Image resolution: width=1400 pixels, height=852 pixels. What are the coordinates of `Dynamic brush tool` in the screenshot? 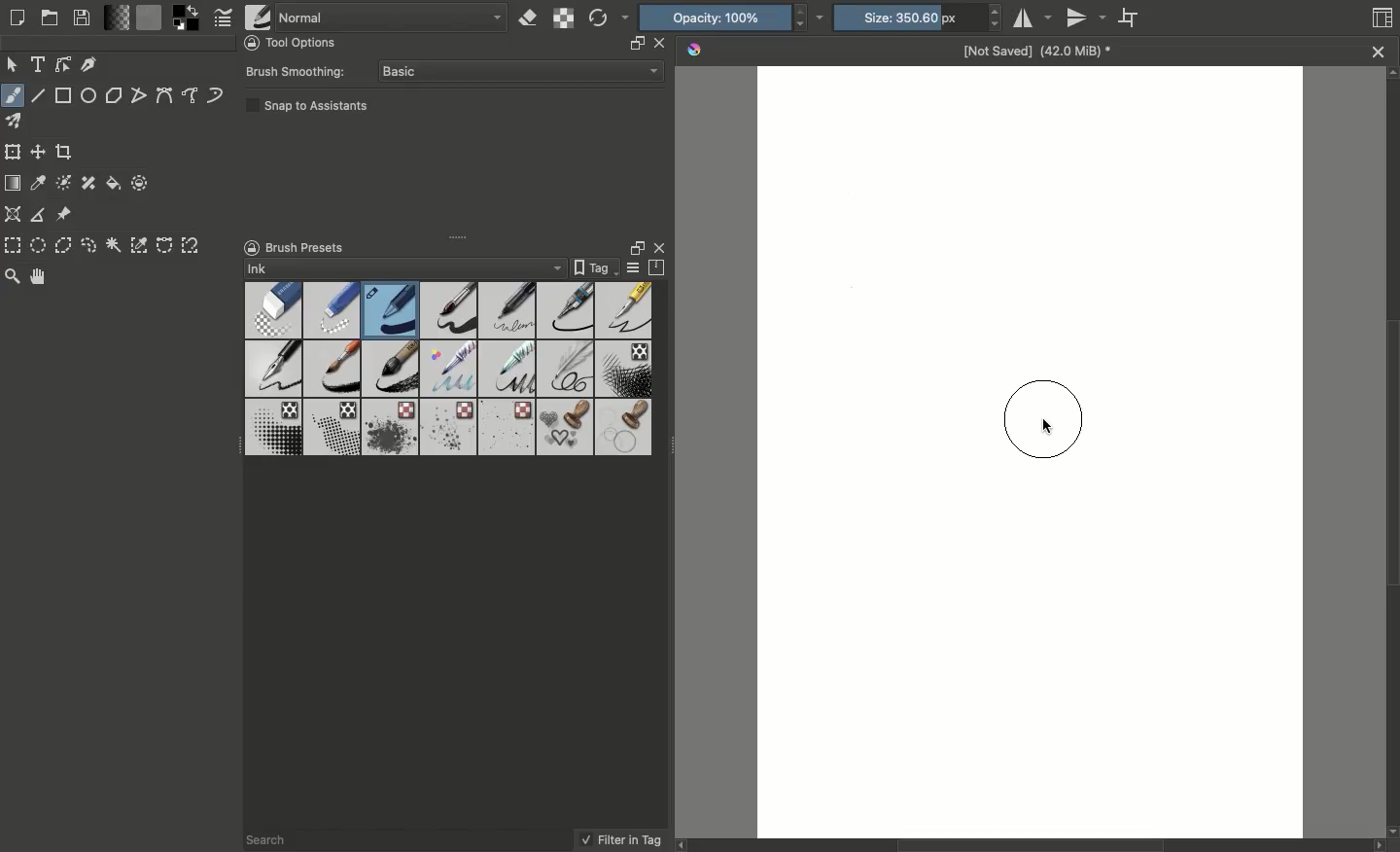 It's located at (216, 95).